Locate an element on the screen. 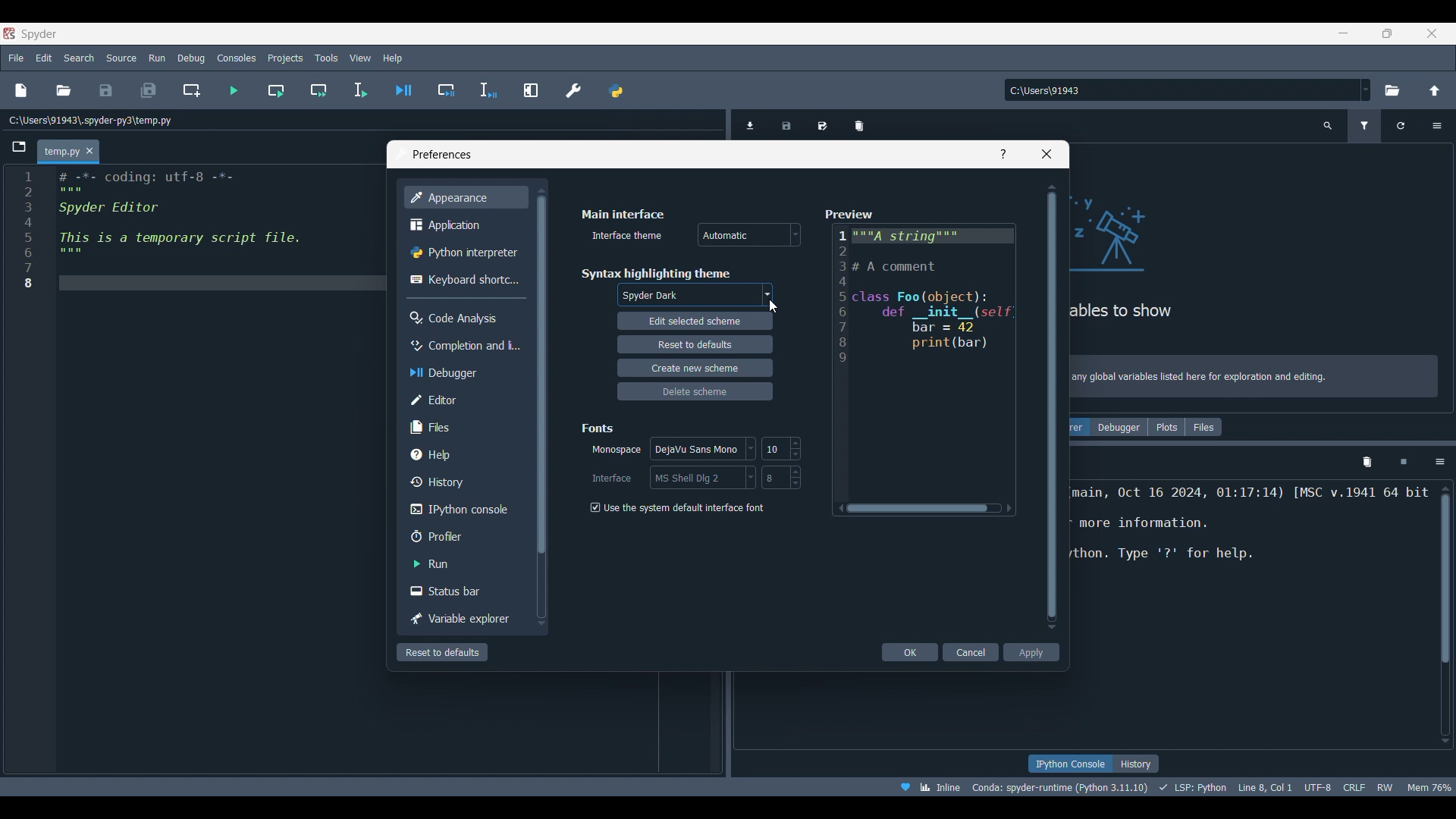 This screenshot has width=1456, height=819. Edit menu is located at coordinates (45, 58).